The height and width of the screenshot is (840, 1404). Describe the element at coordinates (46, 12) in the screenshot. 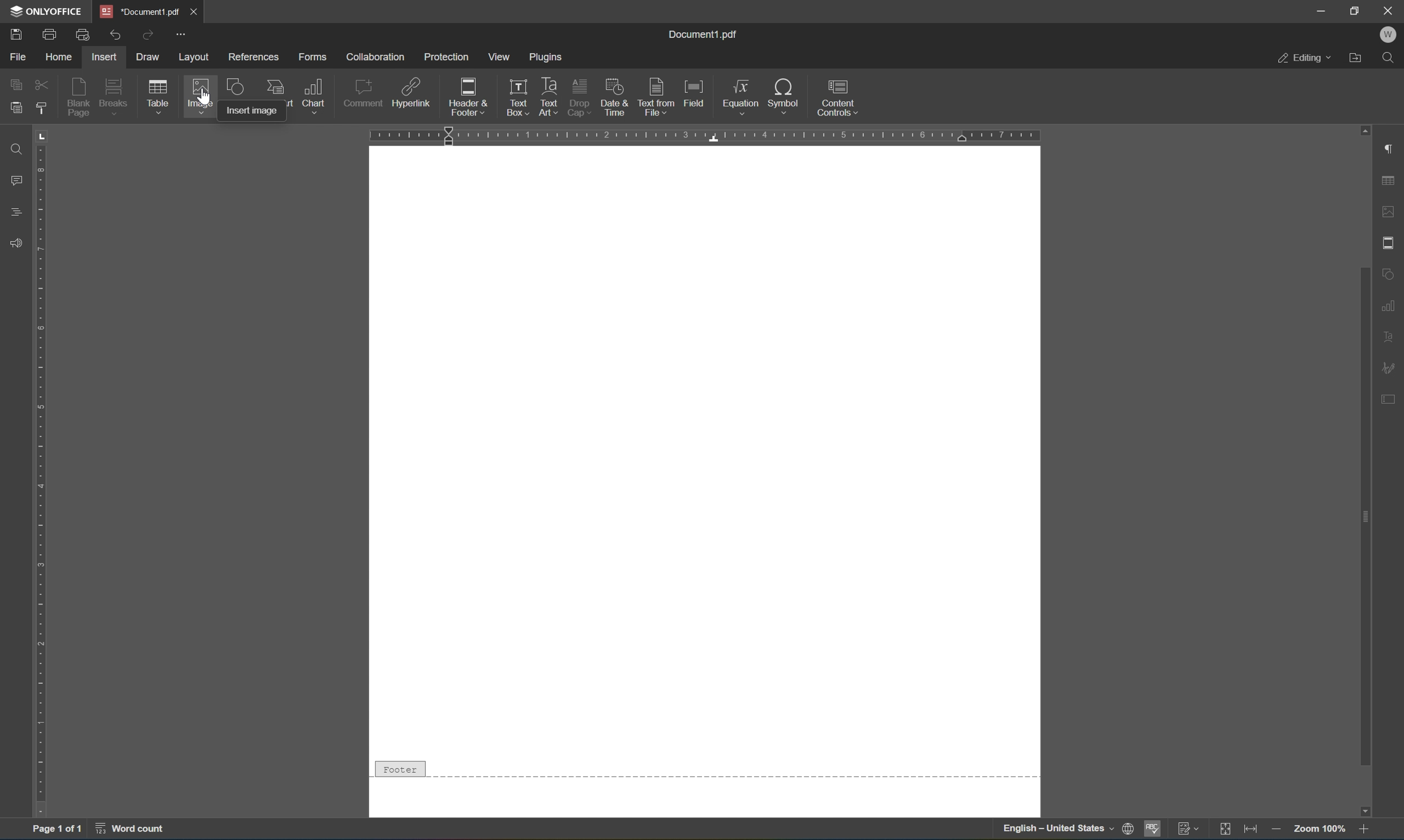

I see `ONLYOFFICE` at that location.